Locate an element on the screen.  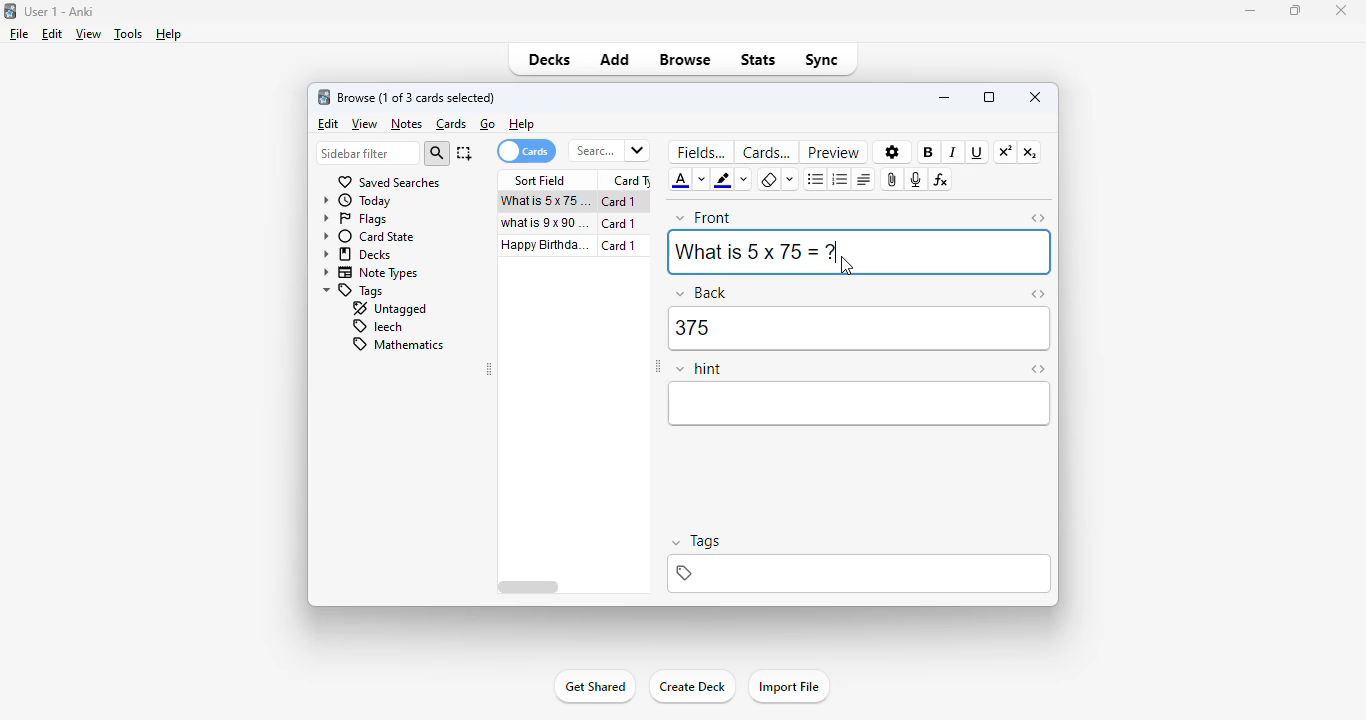
flags is located at coordinates (354, 219).